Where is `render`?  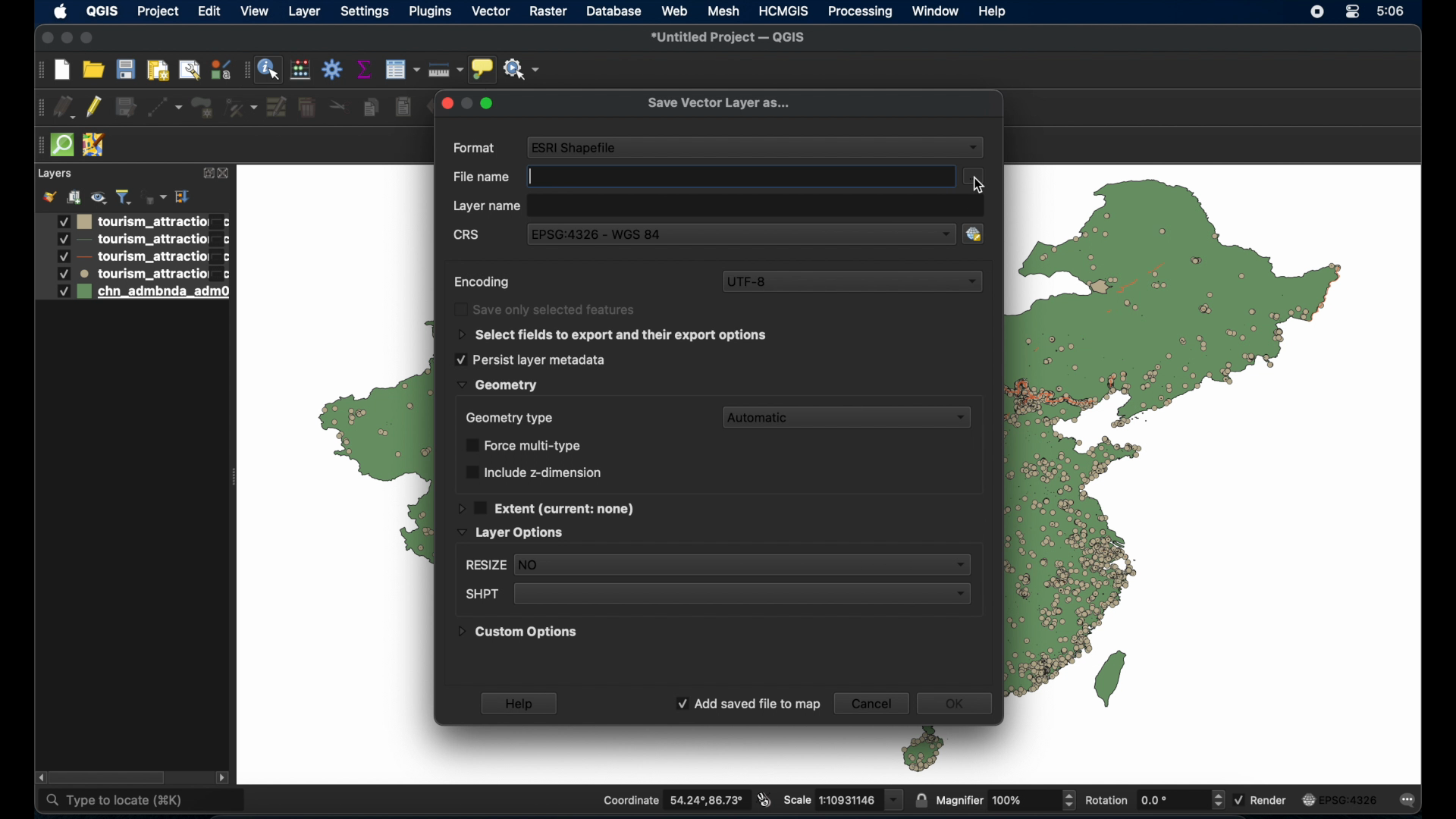 render is located at coordinates (1261, 801).